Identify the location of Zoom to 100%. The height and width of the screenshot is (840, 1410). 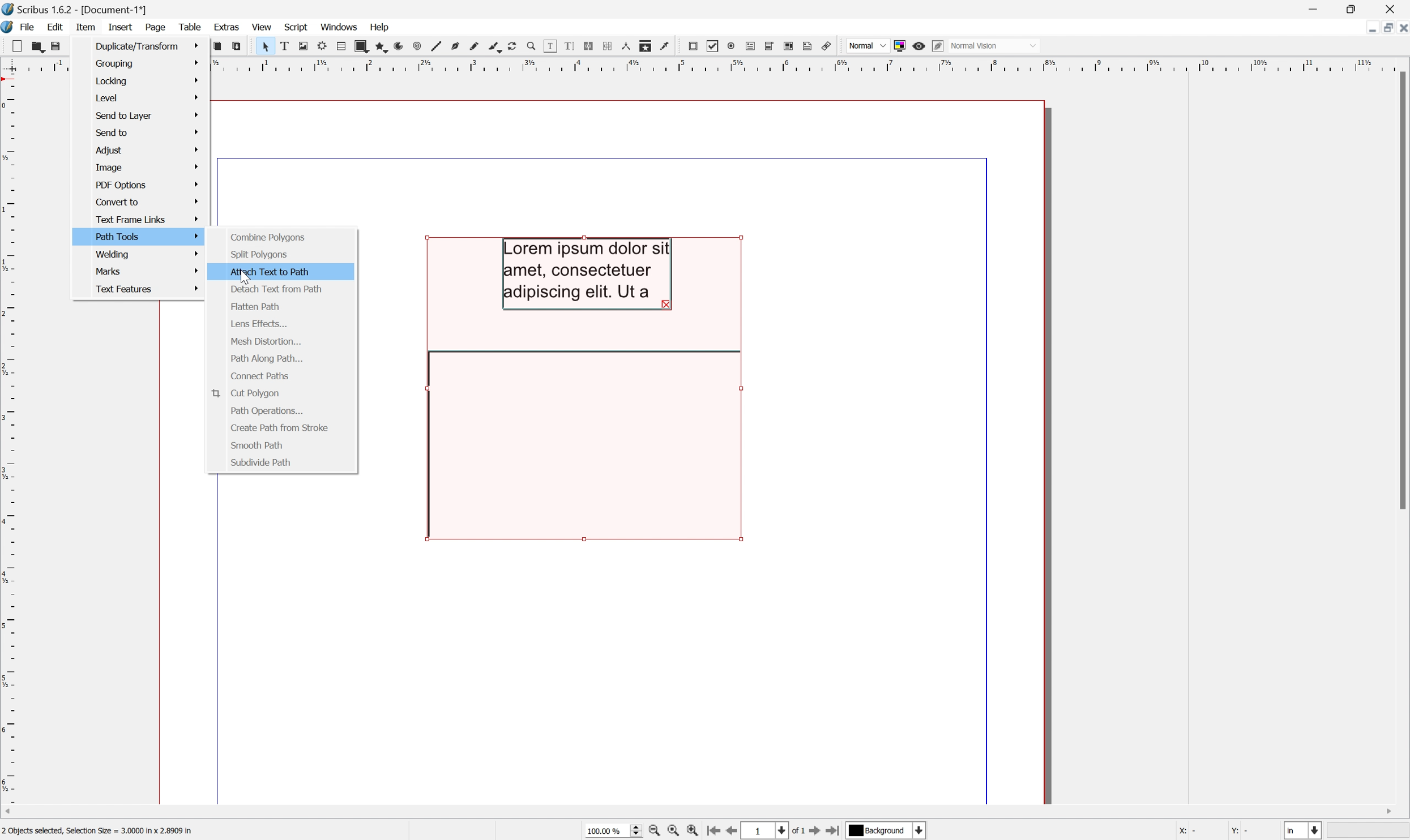
(676, 832).